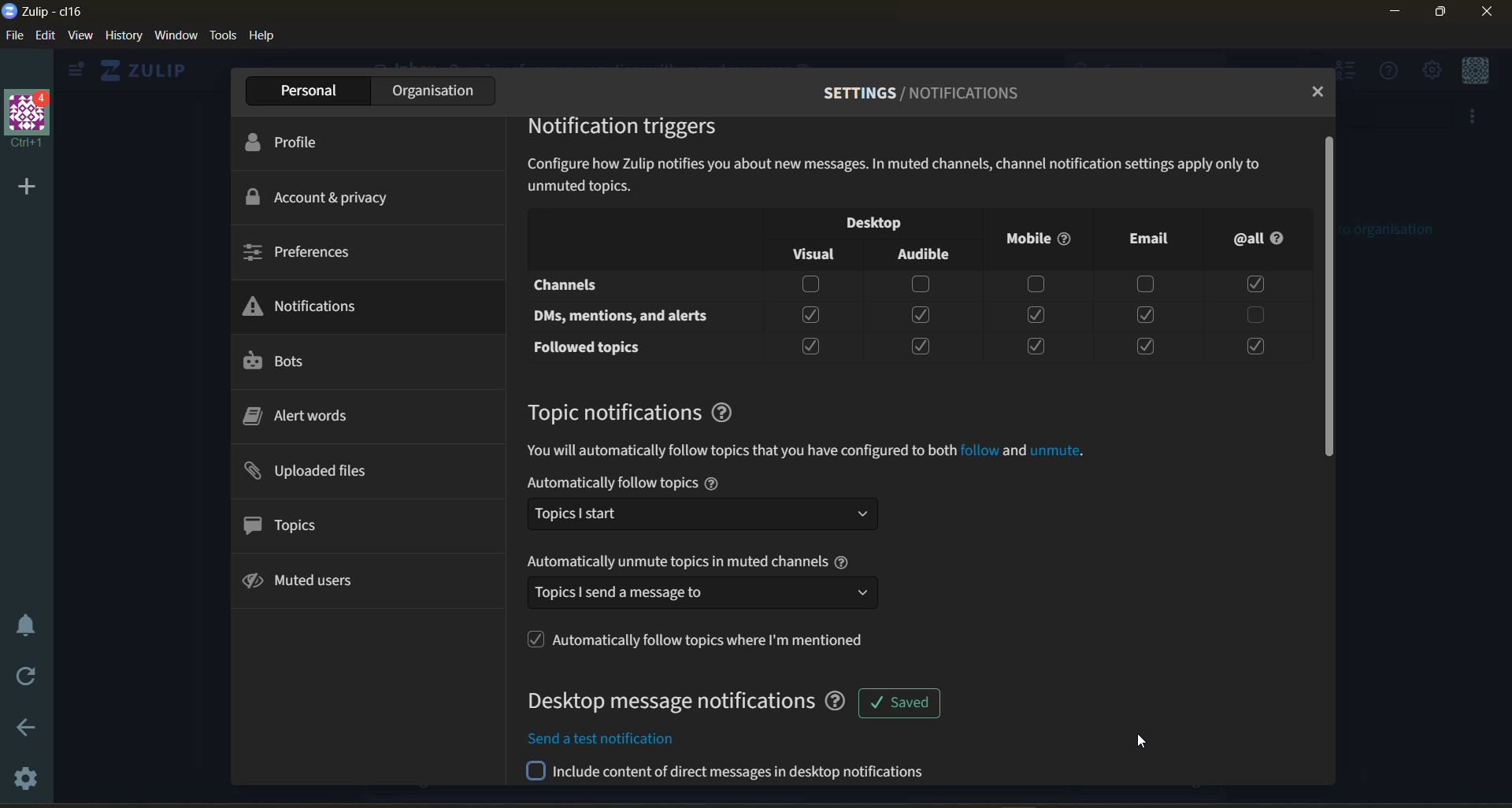 The image size is (1512, 808). I want to click on Topic dropdown, so click(706, 513).